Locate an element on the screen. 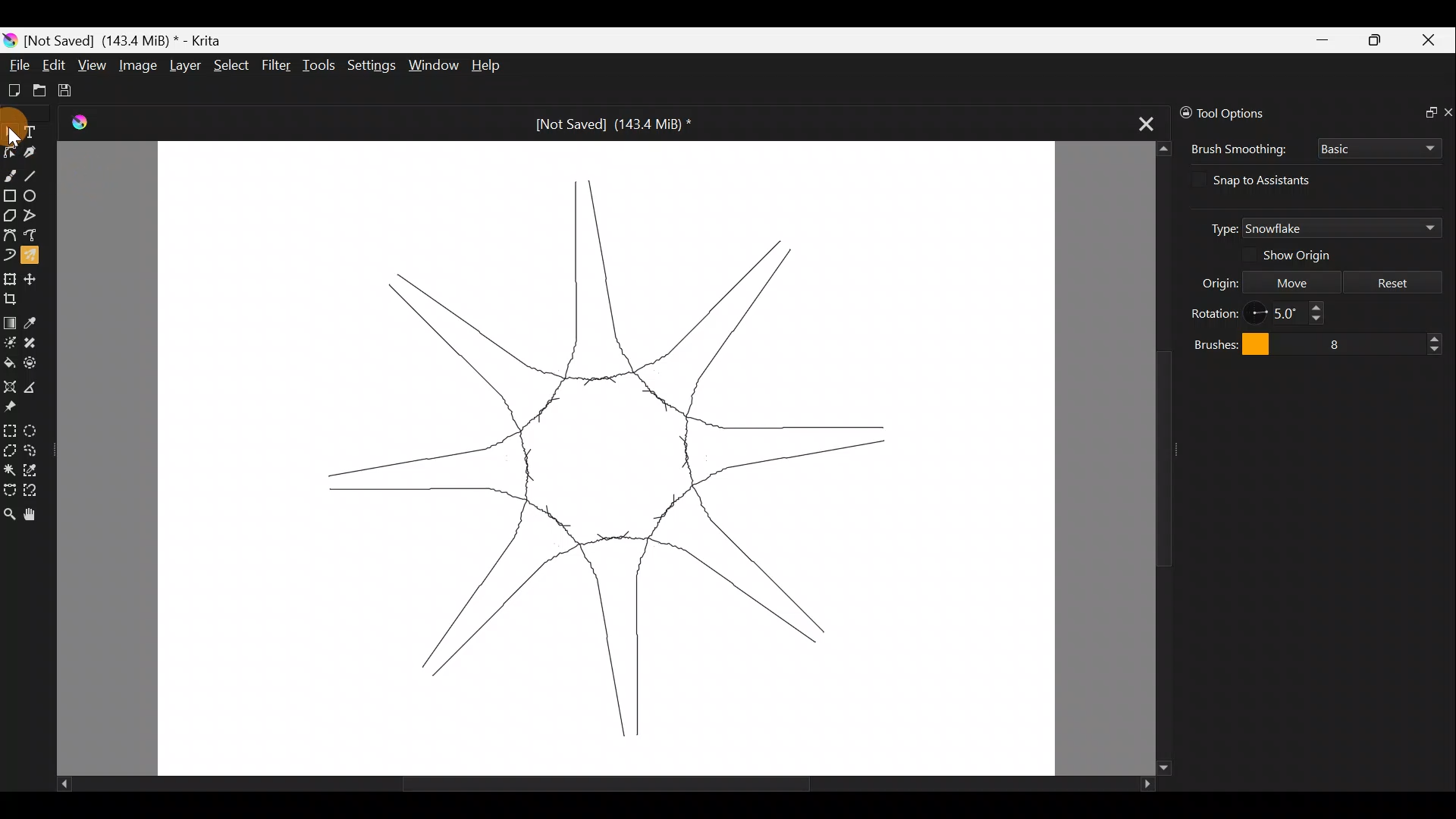 Image resolution: width=1456 pixels, height=819 pixels. Smart patch tool is located at coordinates (32, 342).